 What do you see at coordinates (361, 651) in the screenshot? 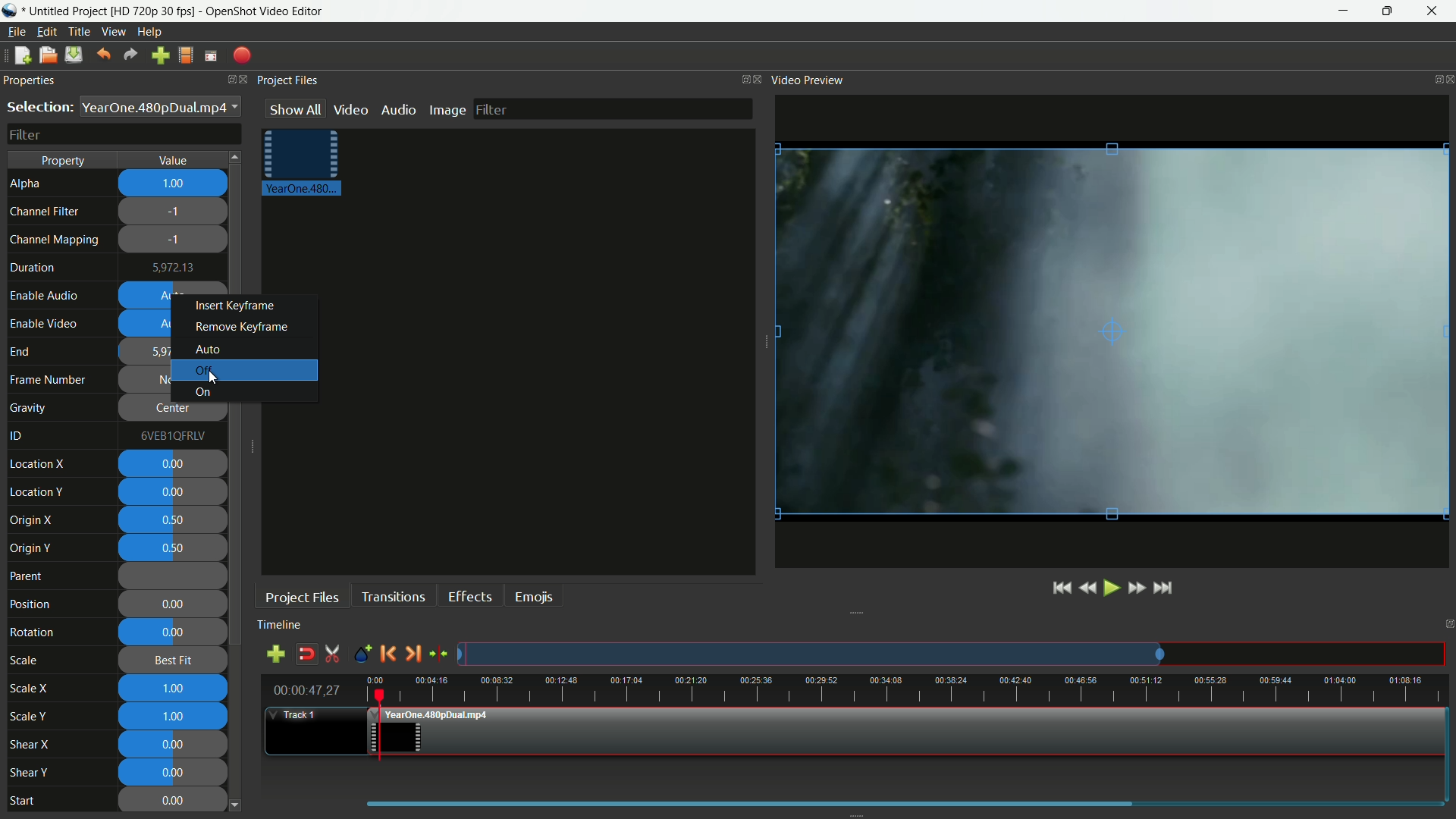
I see `create marker` at bounding box center [361, 651].